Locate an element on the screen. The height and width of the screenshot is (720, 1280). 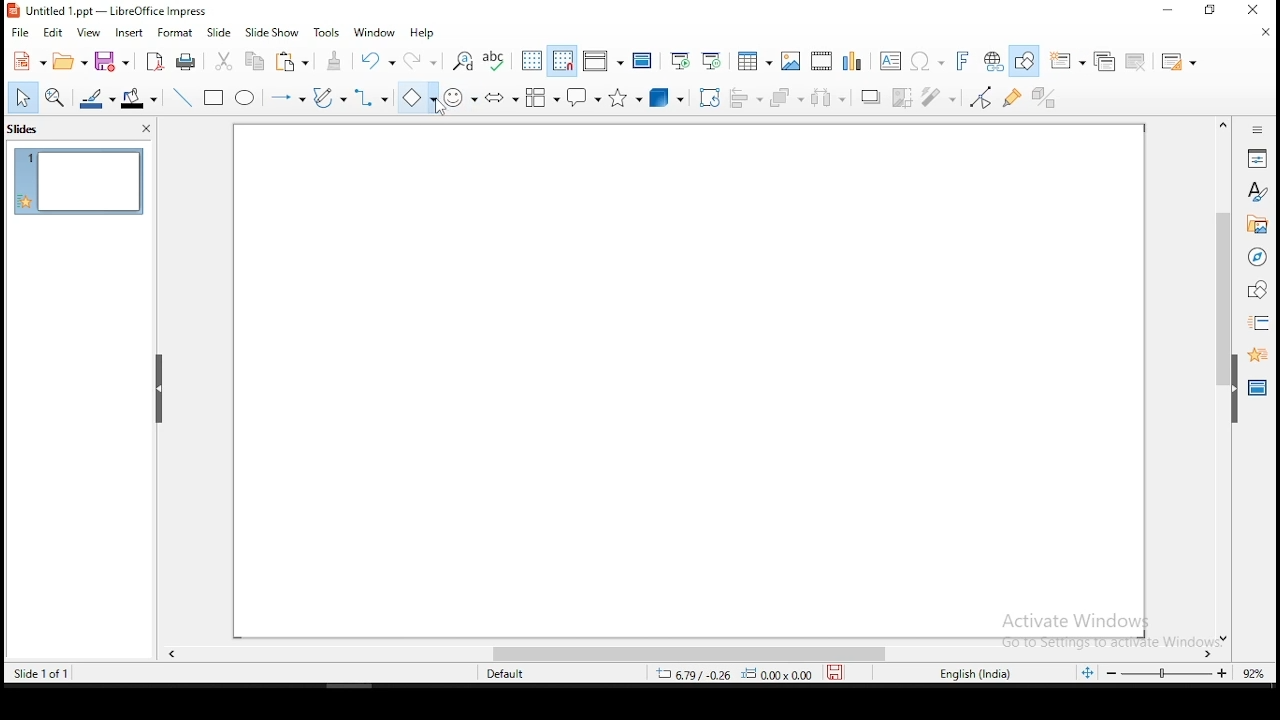
insert is located at coordinates (131, 32).